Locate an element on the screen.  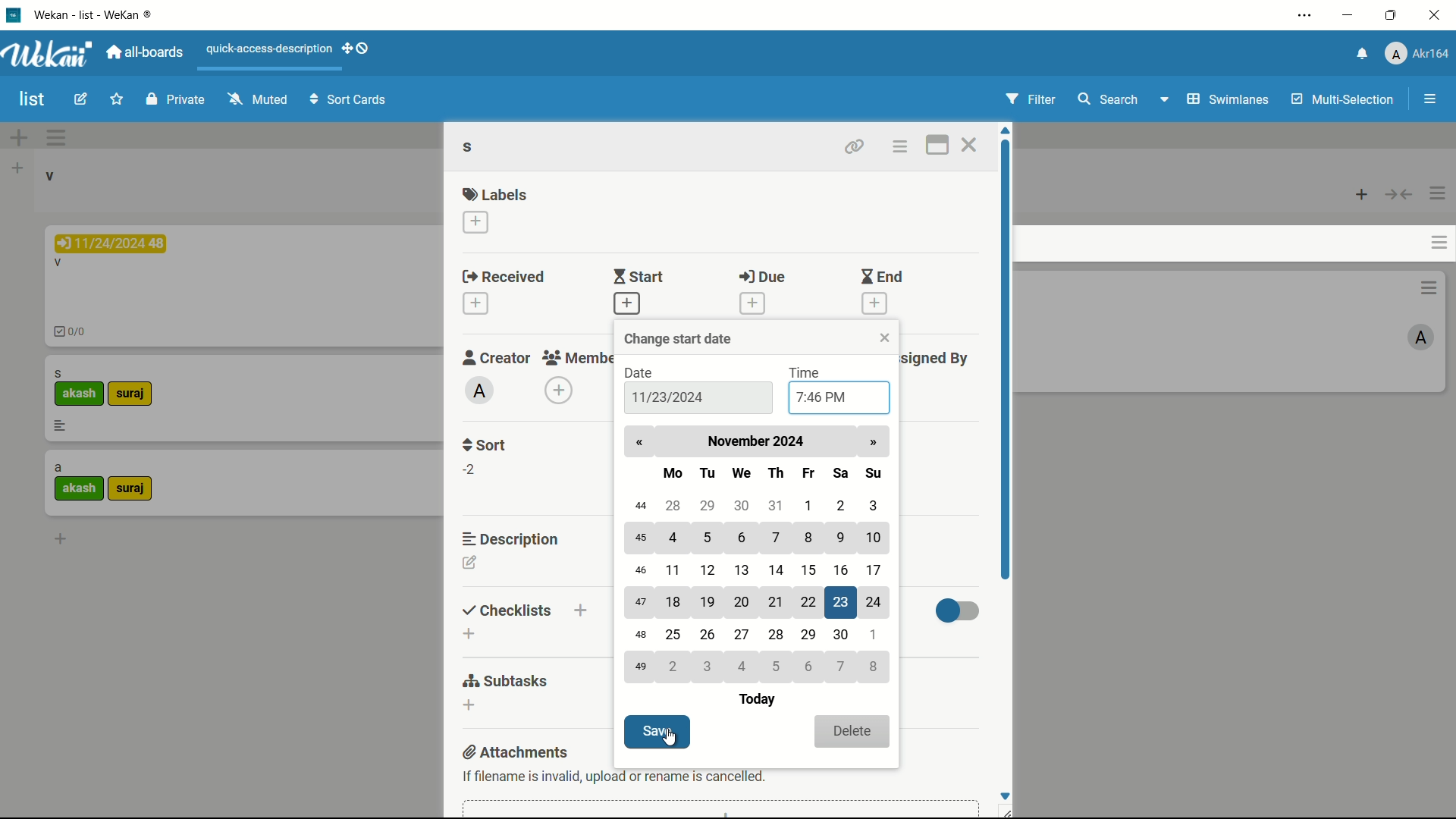
app name is located at coordinates (99, 14).